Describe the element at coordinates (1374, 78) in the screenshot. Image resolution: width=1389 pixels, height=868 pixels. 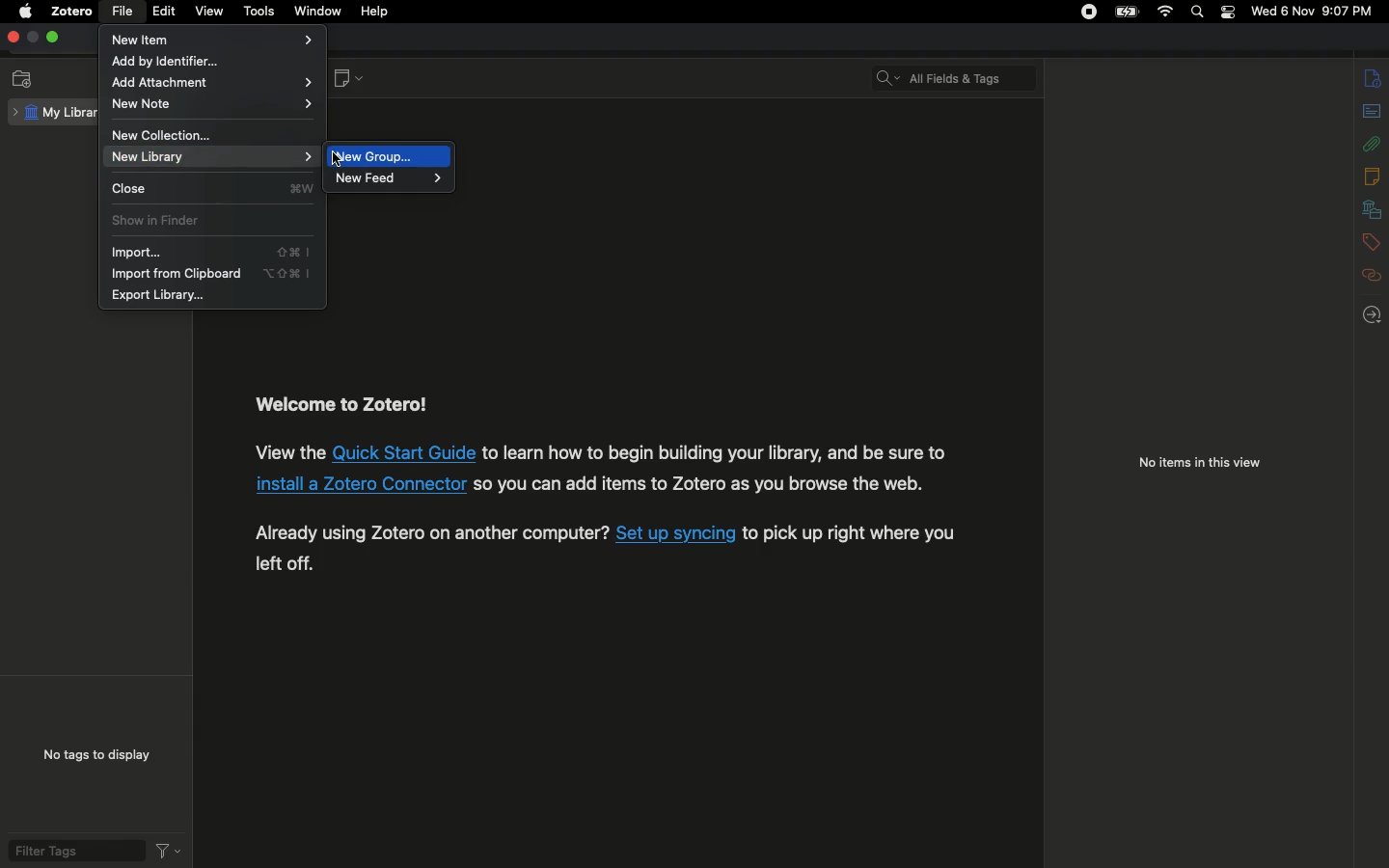
I see `Info` at that location.